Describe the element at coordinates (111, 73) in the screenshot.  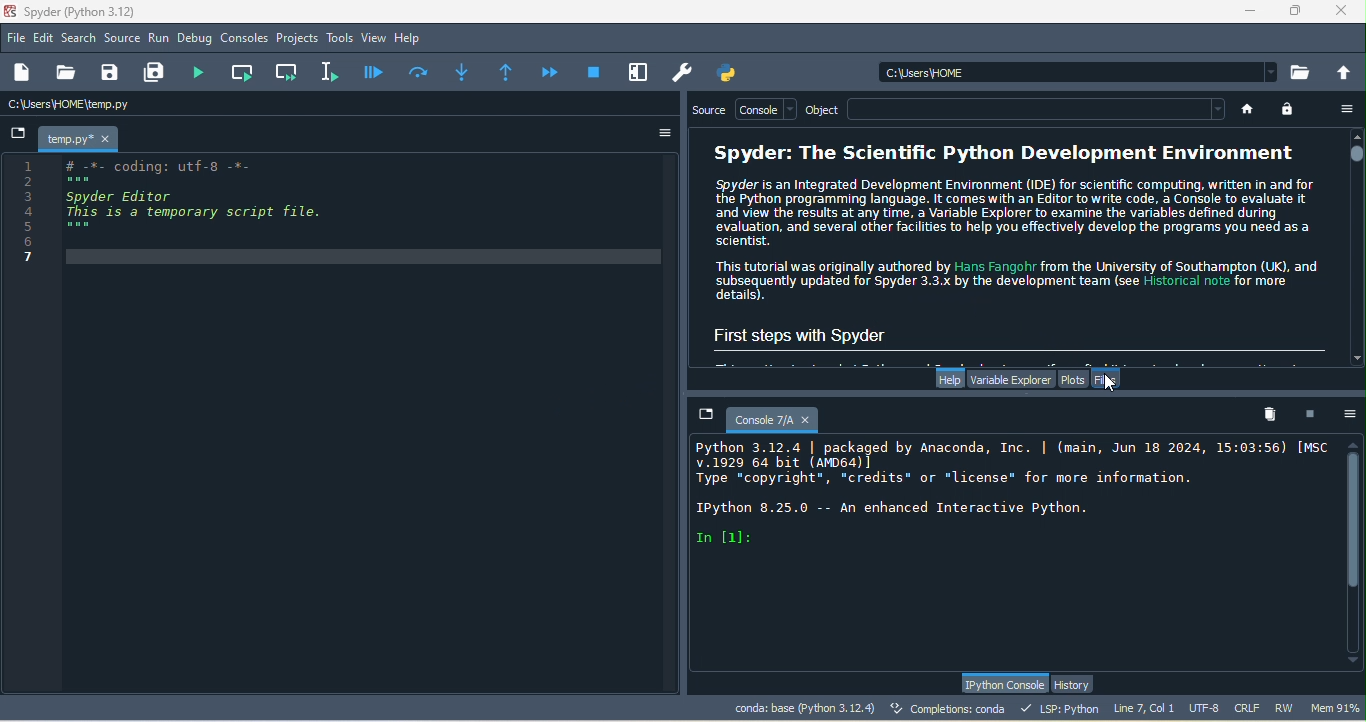
I see `save` at that location.